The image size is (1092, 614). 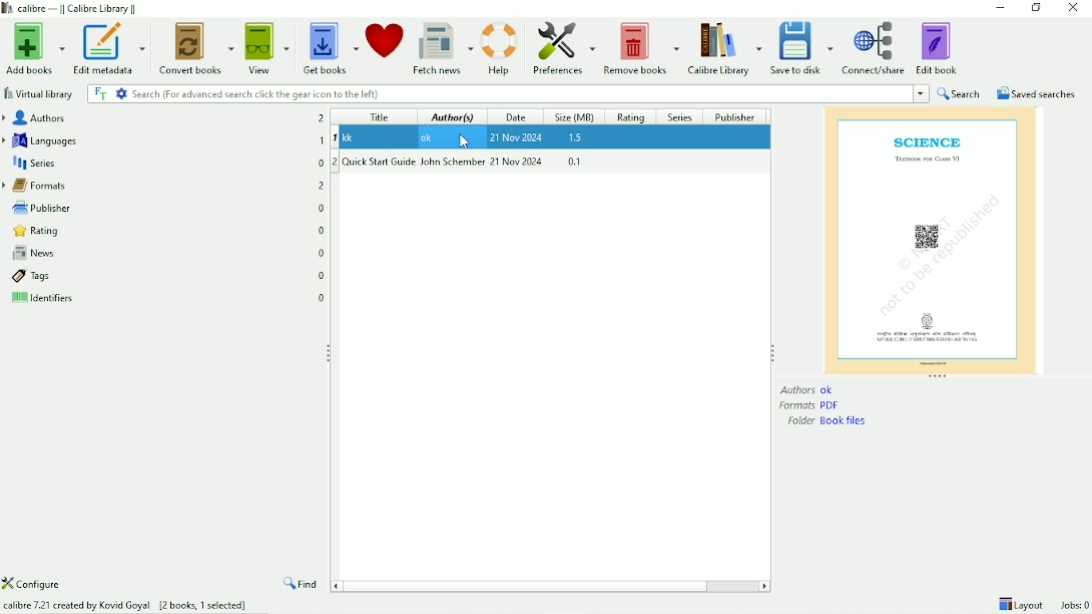 What do you see at coordinates (801, 49) in the screenshot?
I see `Save to disk` at bounding box center [801, 49].